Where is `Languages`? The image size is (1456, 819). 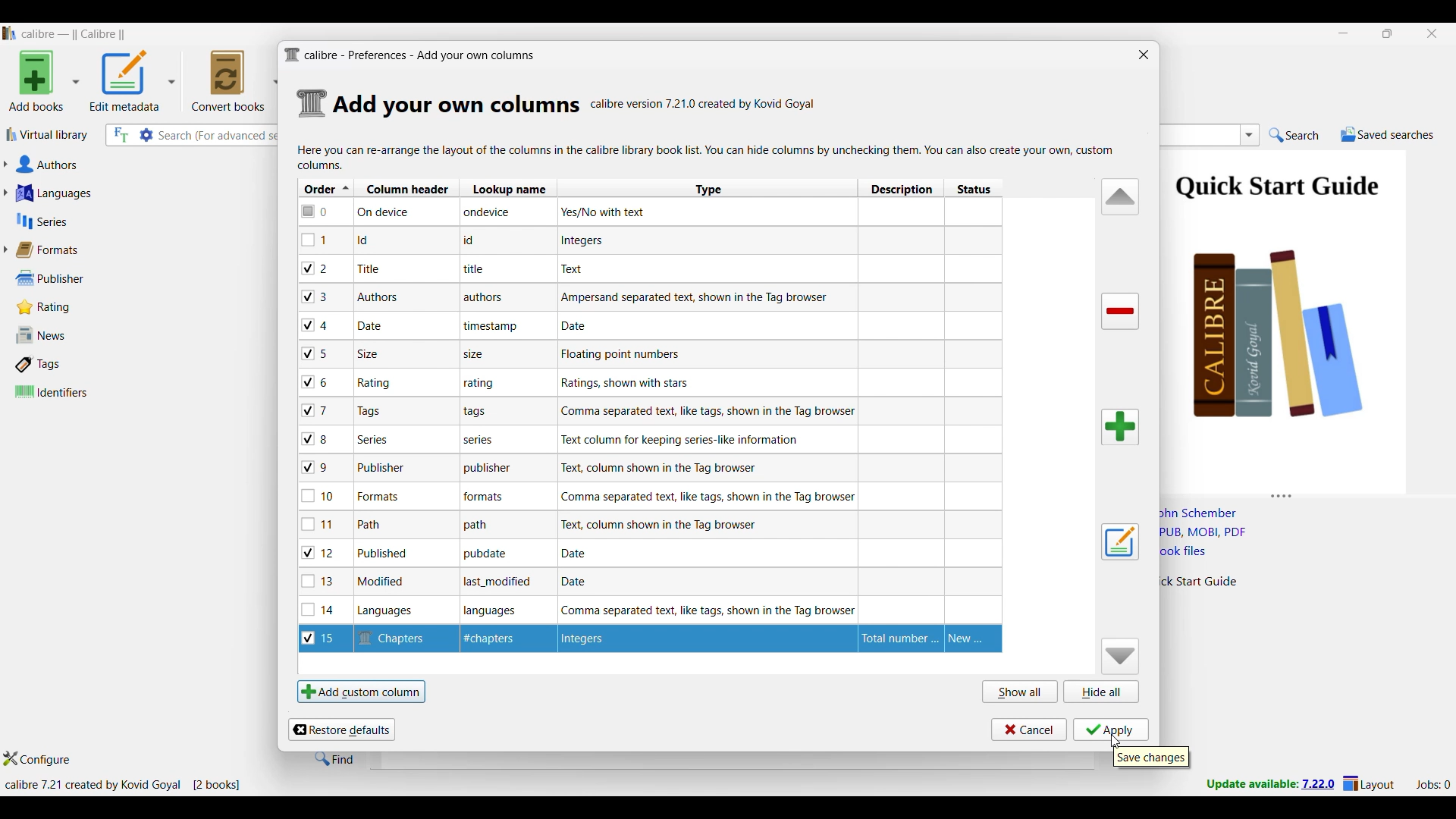 Languages is located at coordinates (115, 193).